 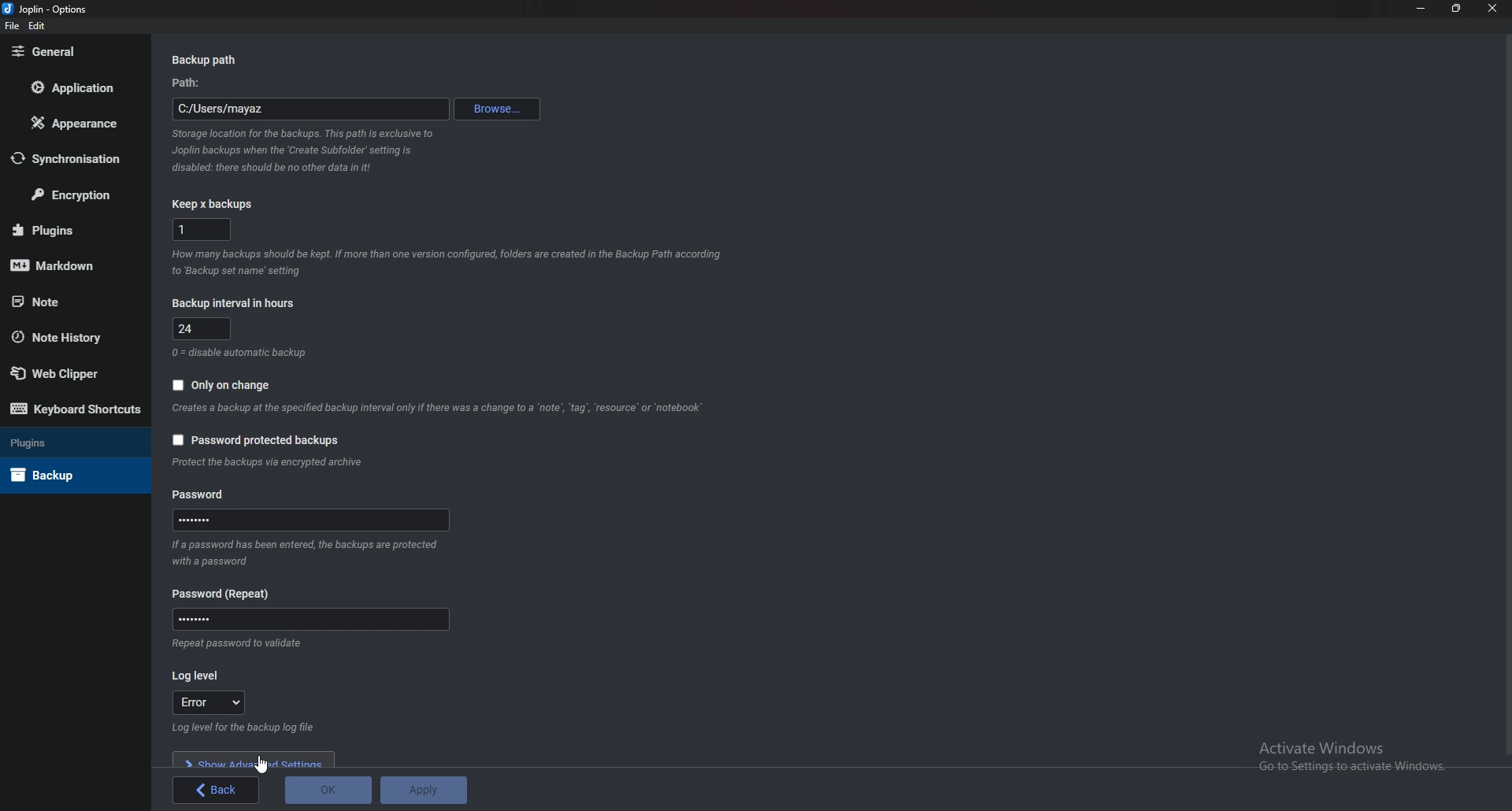 What do you see at coordinates (314, 520) in the screenshot?
I see `Password` at bounding box center [314, 520].